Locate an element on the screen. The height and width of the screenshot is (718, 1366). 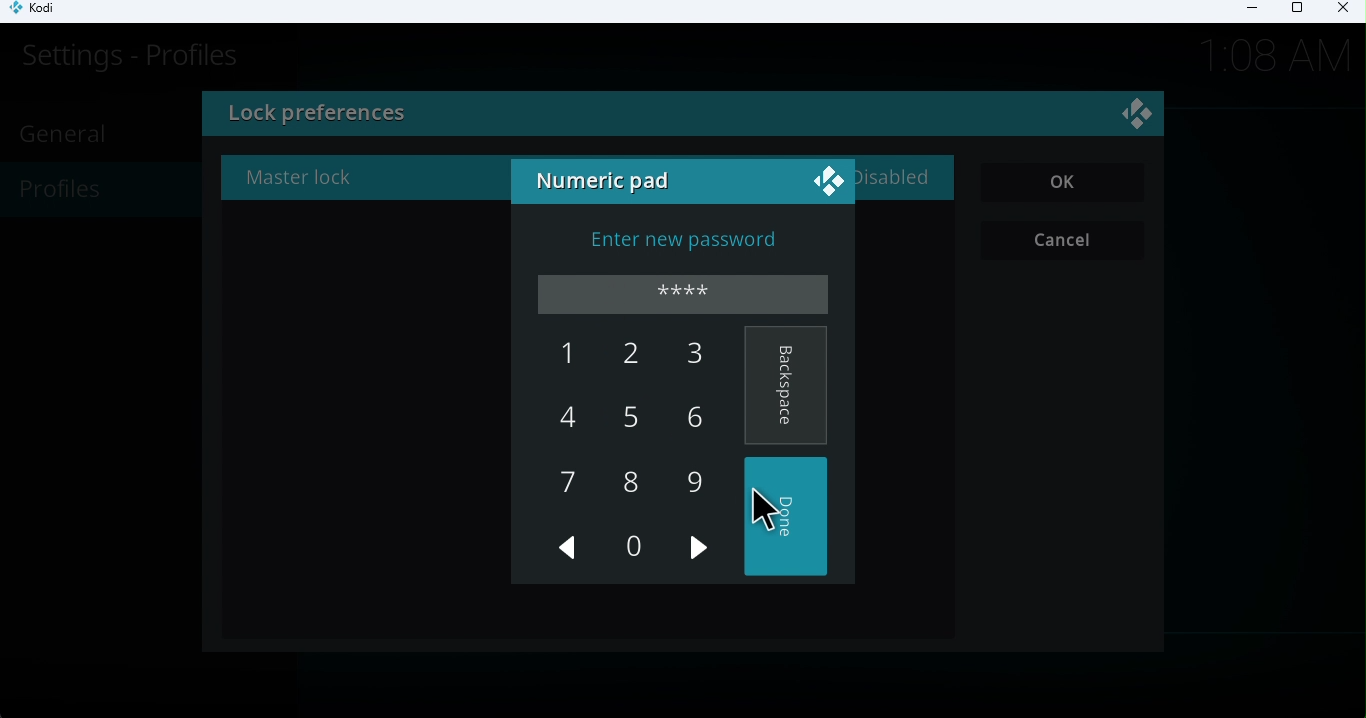
5 is located at coordinates (623, 421).